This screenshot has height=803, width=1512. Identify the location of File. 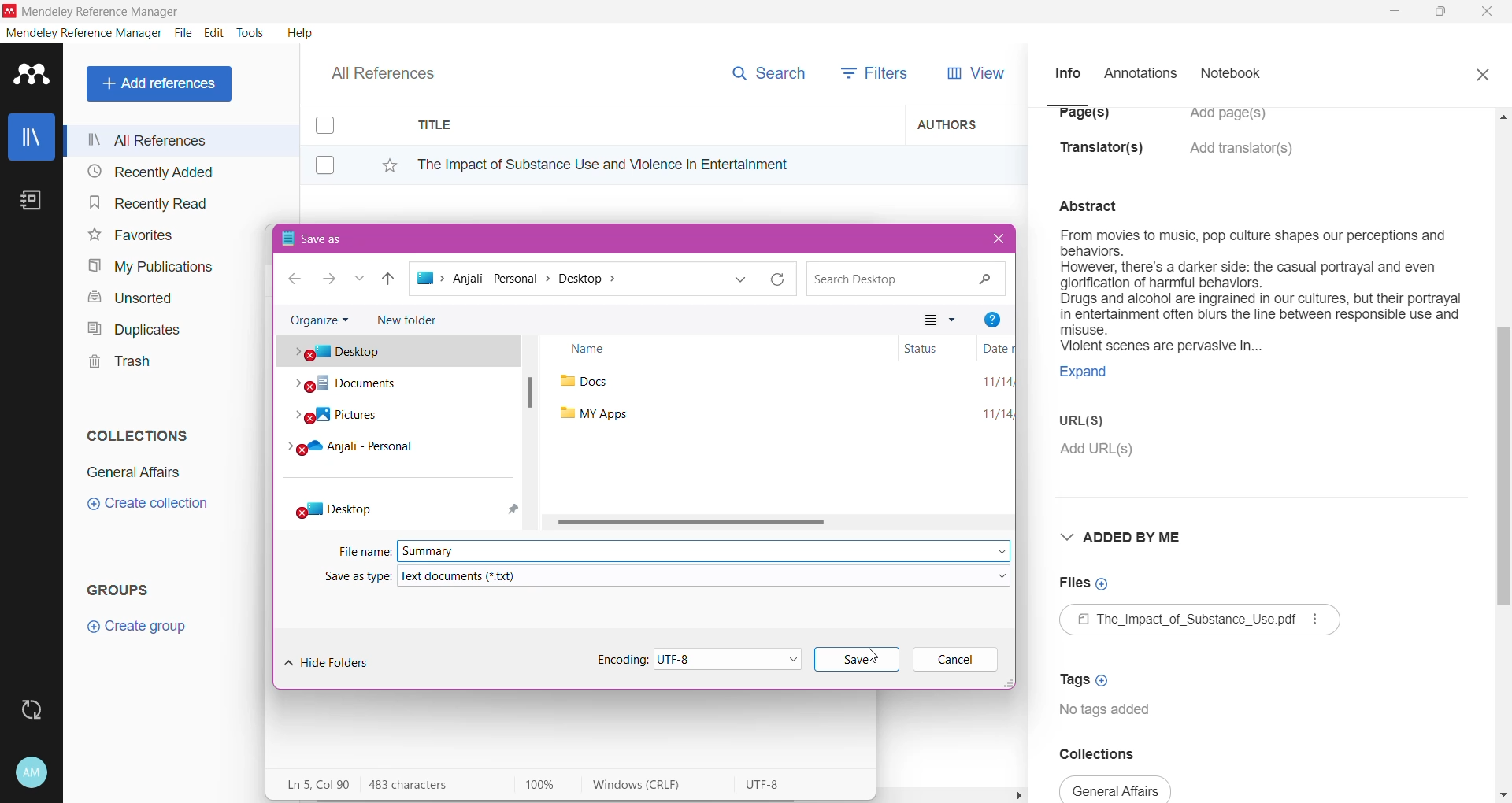
(183, 34).